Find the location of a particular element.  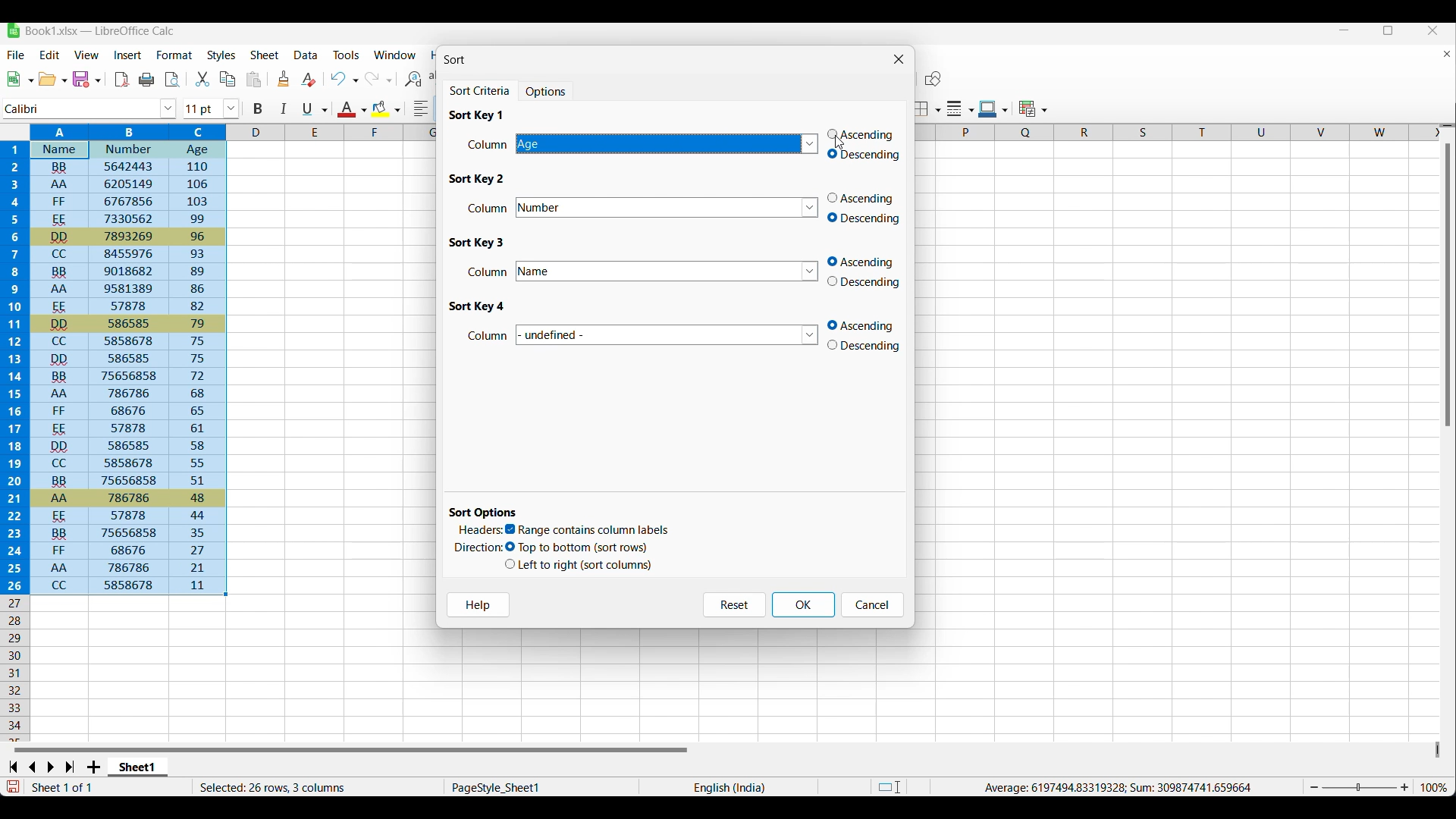

Clear direct formatting is located at coordinates (309, 79).